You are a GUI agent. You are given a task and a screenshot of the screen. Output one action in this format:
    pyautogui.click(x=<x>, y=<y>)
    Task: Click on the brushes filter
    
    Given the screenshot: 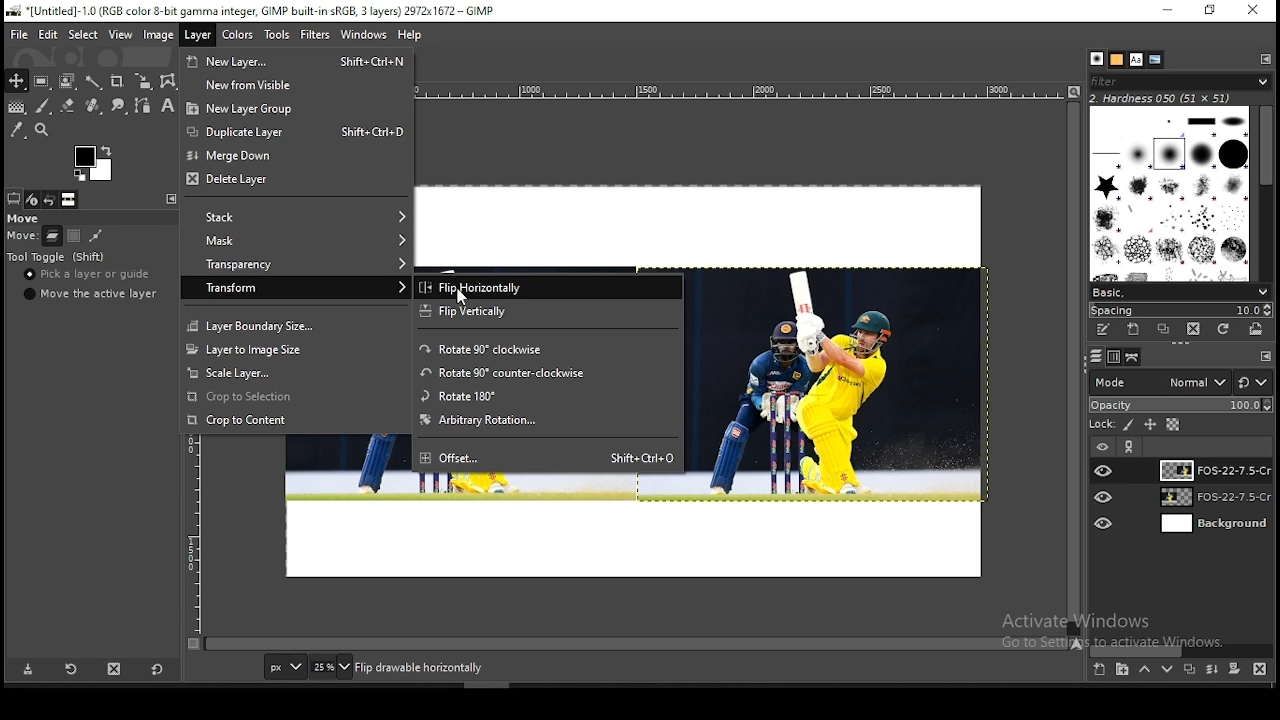 What is the action you would take?
    pyautogui.click(x=1180, y=80)
    